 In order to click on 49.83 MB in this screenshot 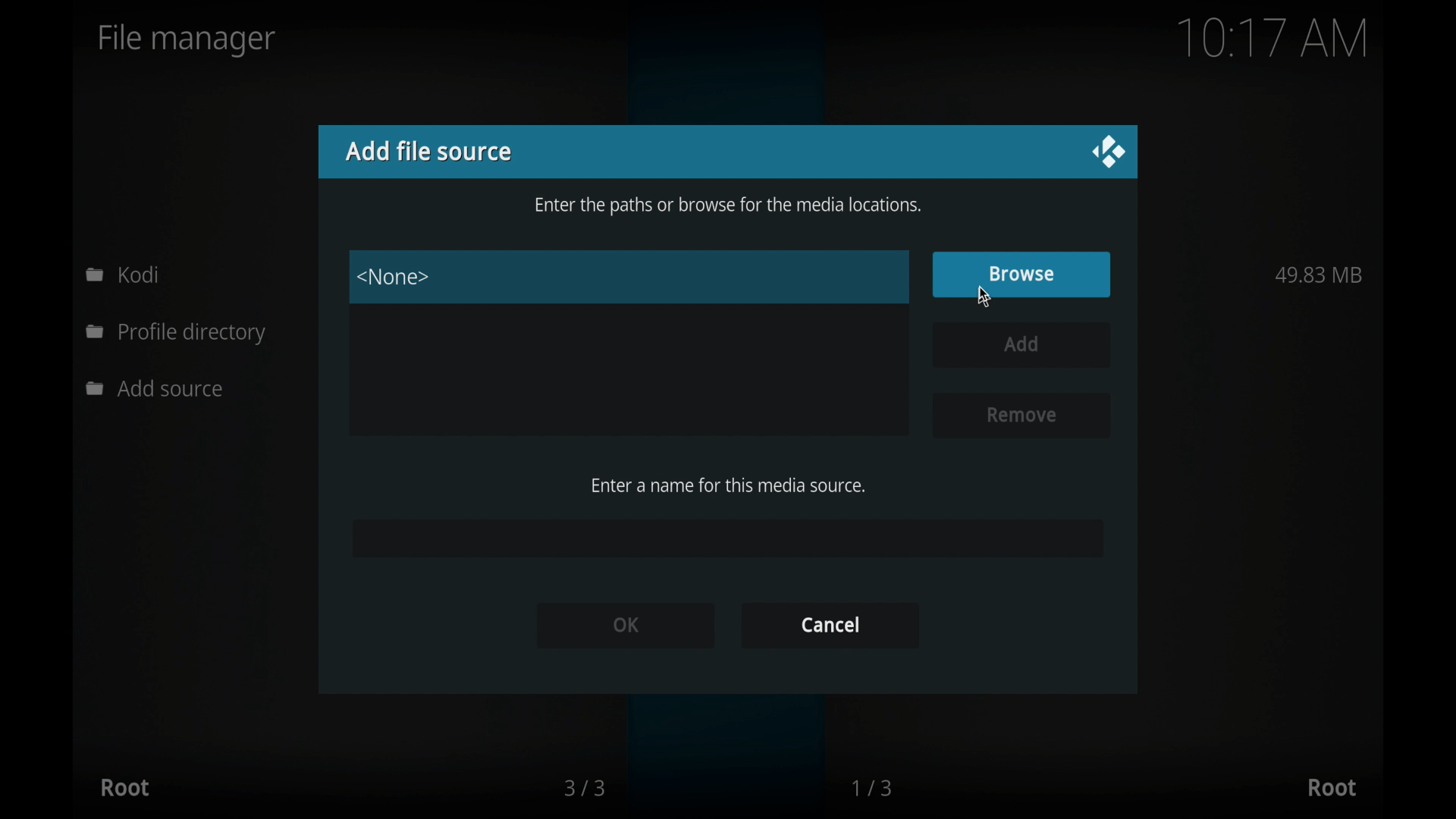, I will do `click(1319, 275)`.